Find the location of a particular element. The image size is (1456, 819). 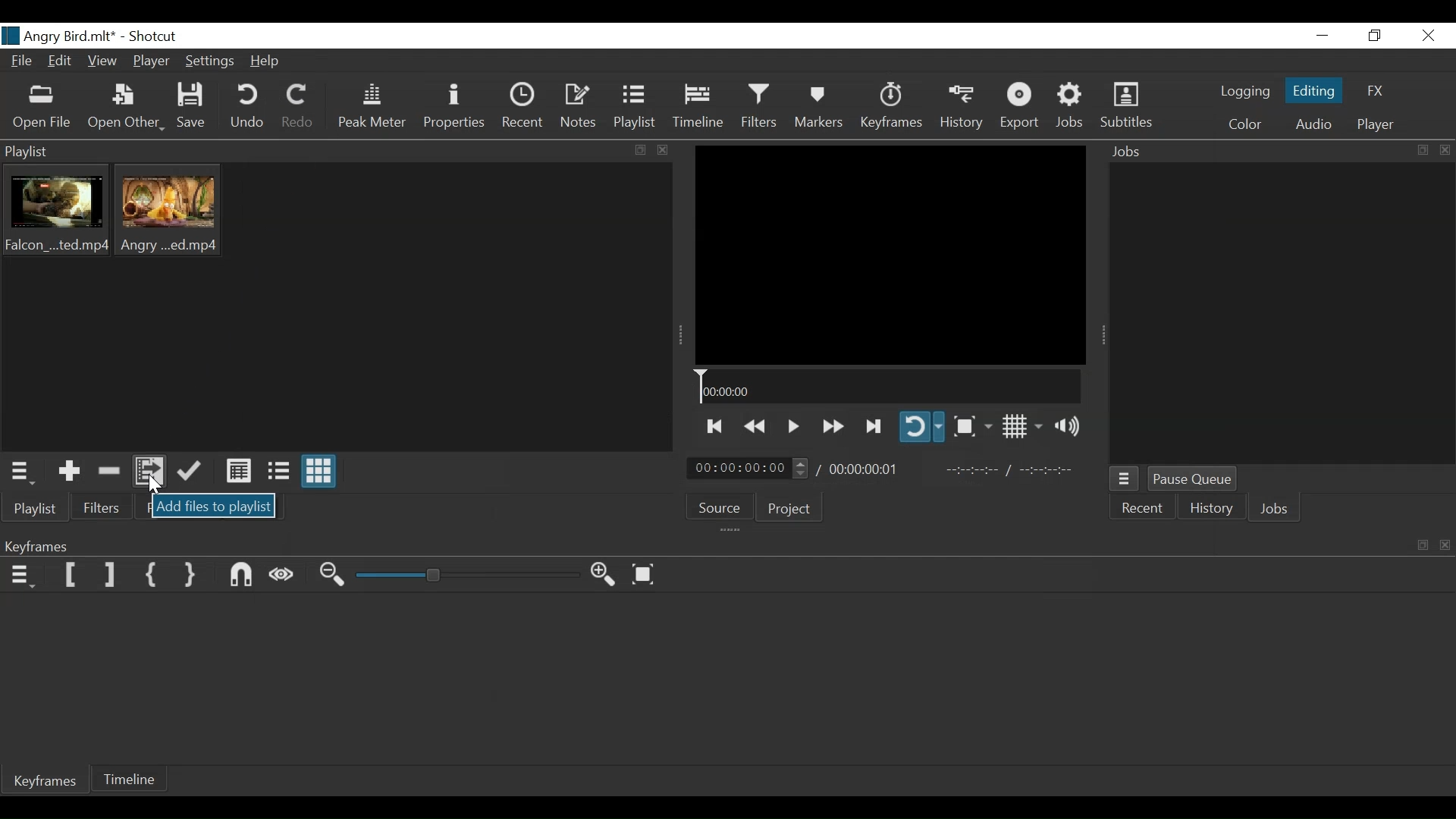

View is located at coordinates (104, 64).